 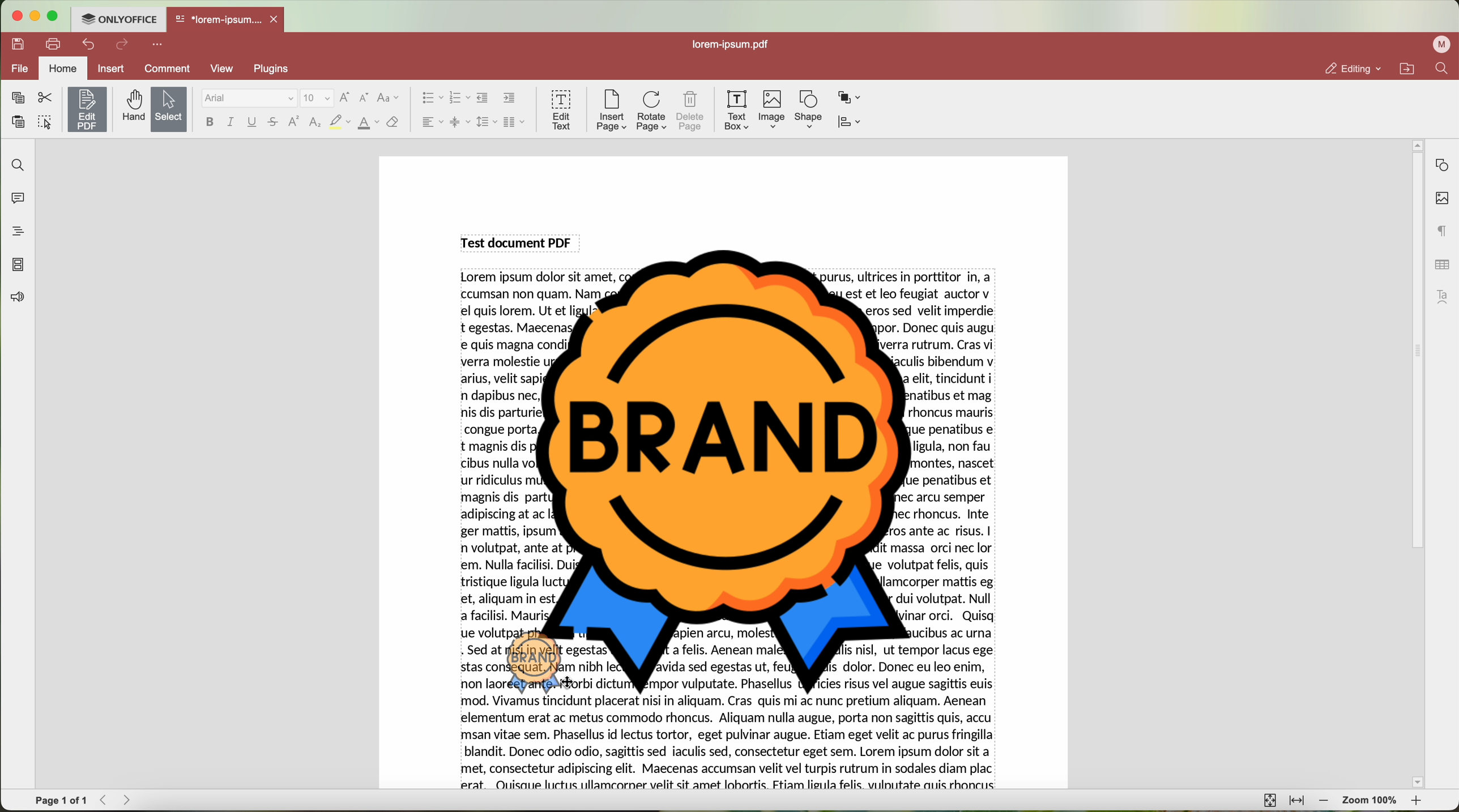 I want to click on superscript, so click(x=295, y=121).